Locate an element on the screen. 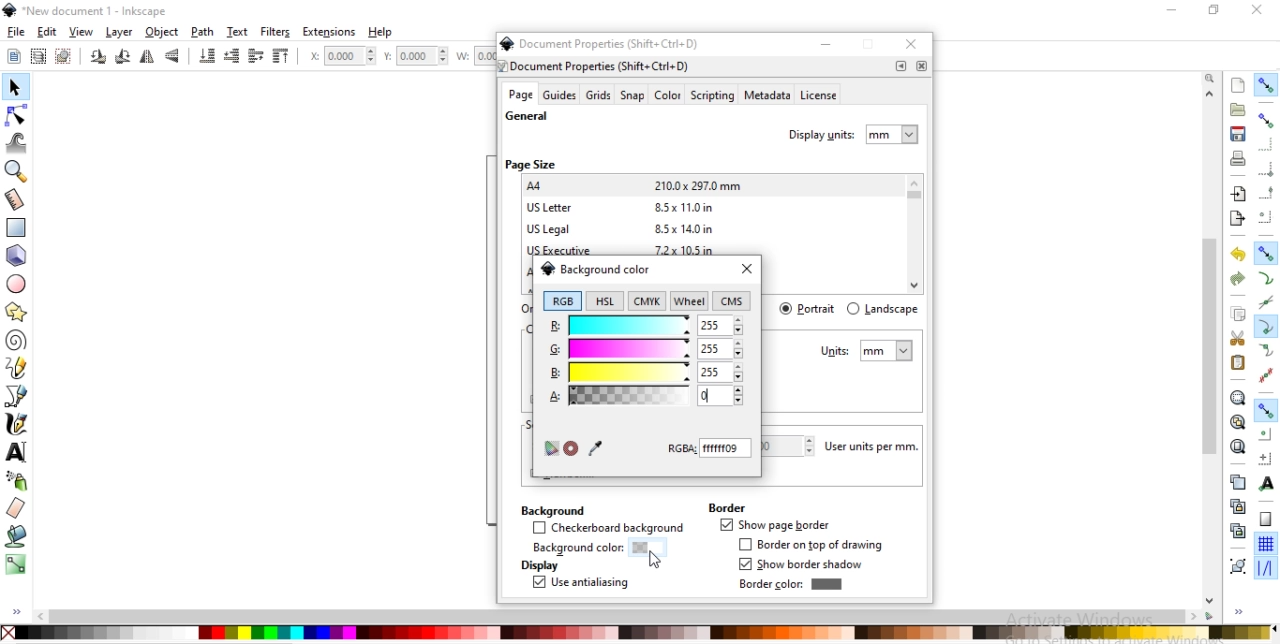  spray objects by sculping or painting is located at coordinates (21, 480).